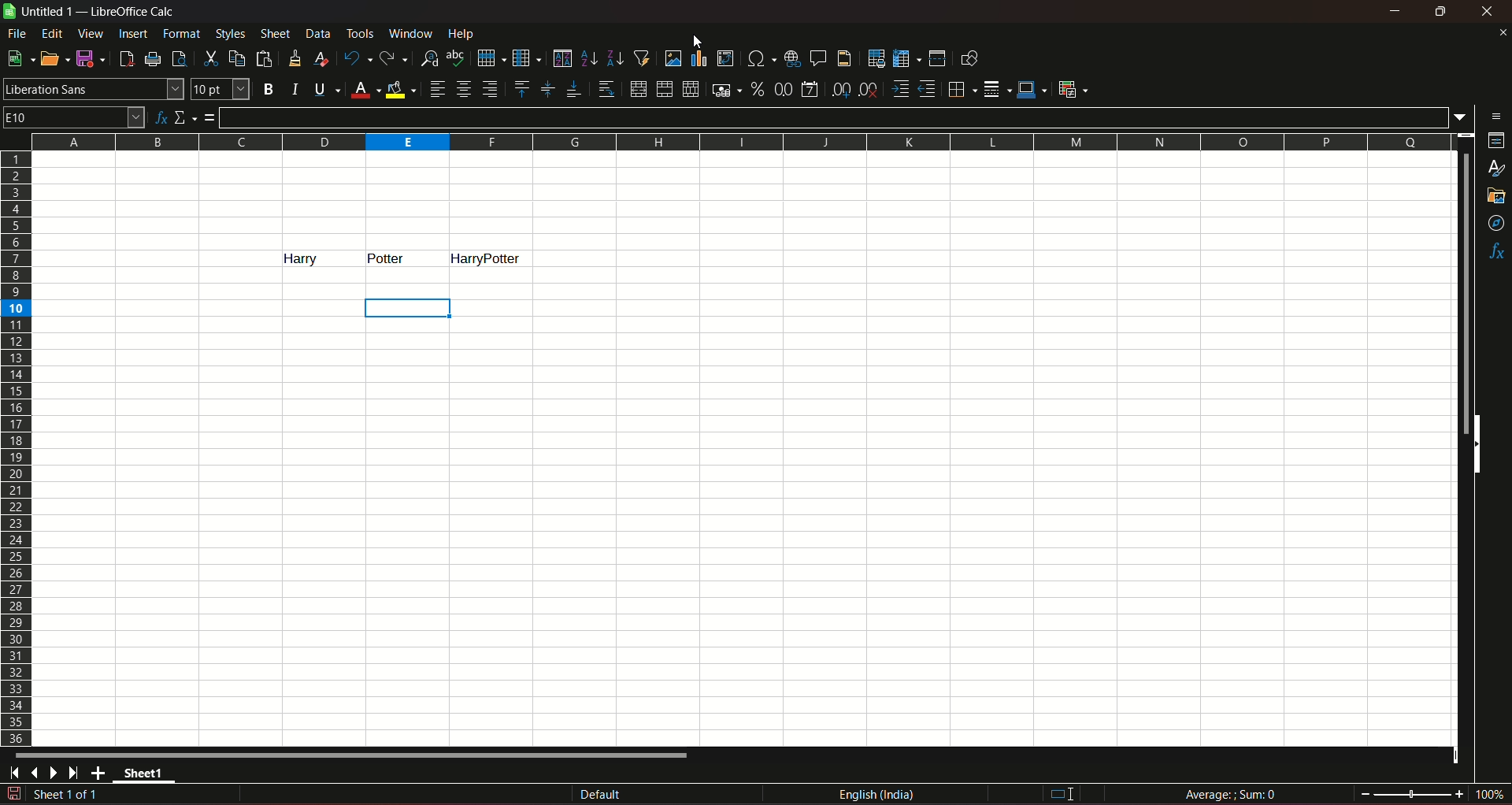  What do you see at coordinates (268, 90) in the screenshot?
I see `bold` at bounding box center [268, 90].